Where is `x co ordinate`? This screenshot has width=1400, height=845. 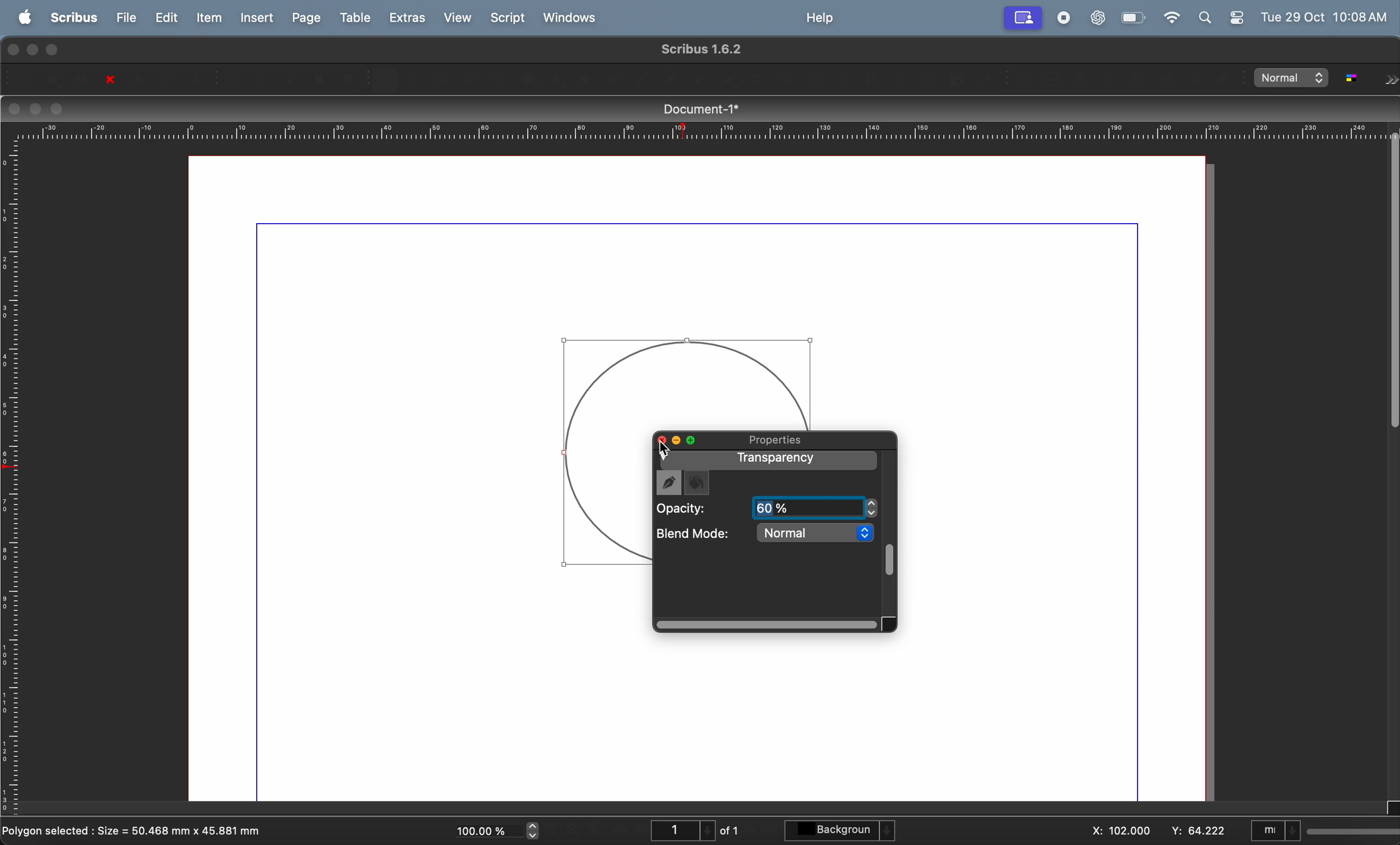
x co ordinate is located at coordinates (1119, 829).